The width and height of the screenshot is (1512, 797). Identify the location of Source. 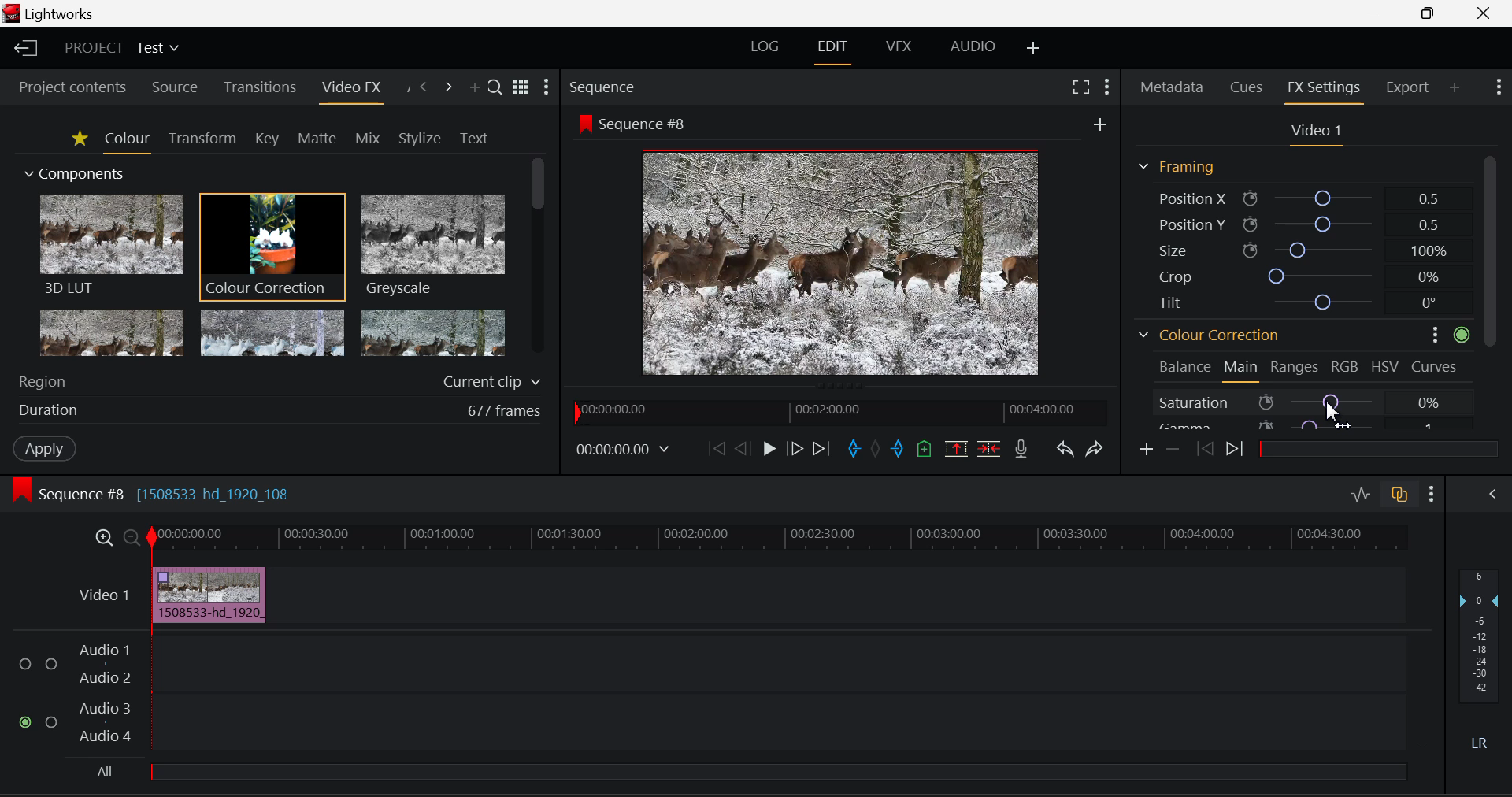
(176, 87).